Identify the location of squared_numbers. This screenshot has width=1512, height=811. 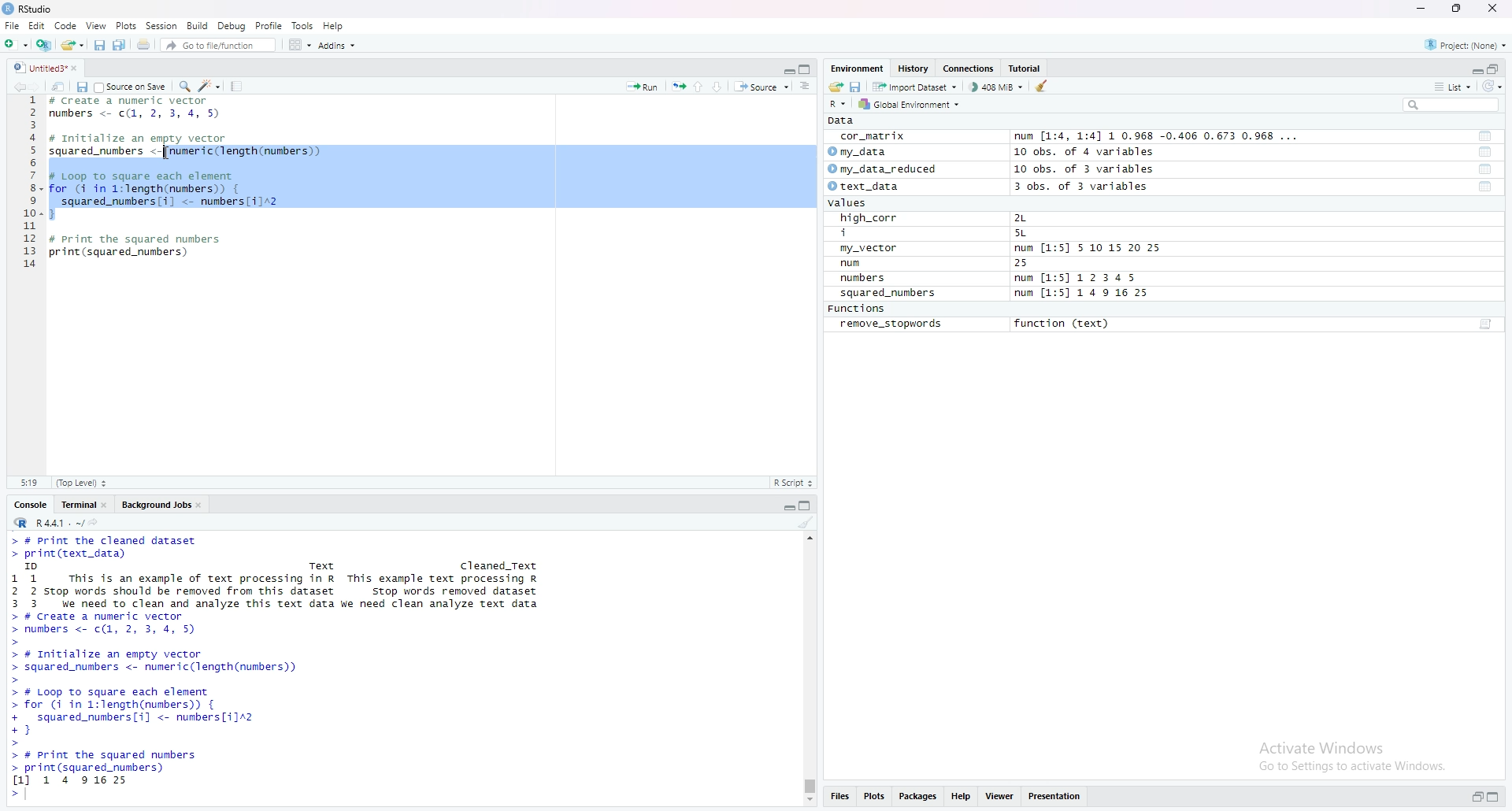
(889, 295).